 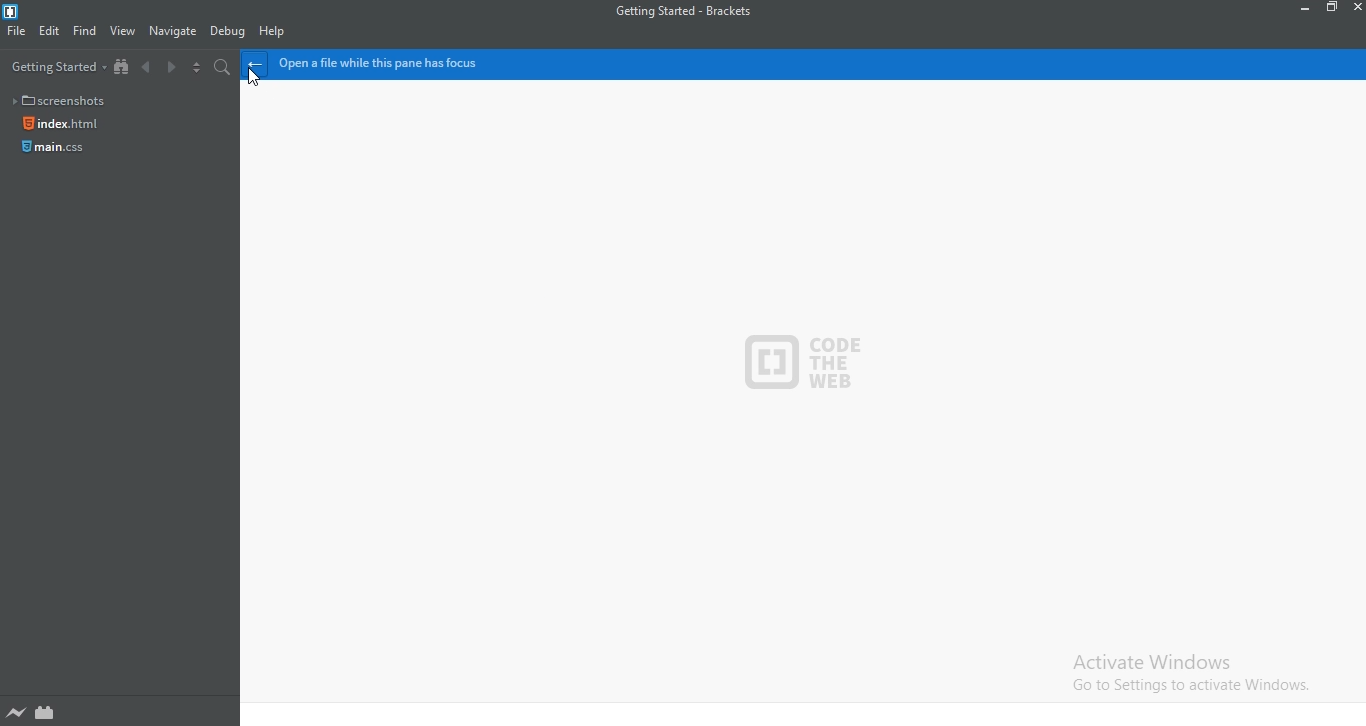 What do you see at coordinates (55, 65) in the screenshot?
I see `Getting started` at bounding box center [55, 65].